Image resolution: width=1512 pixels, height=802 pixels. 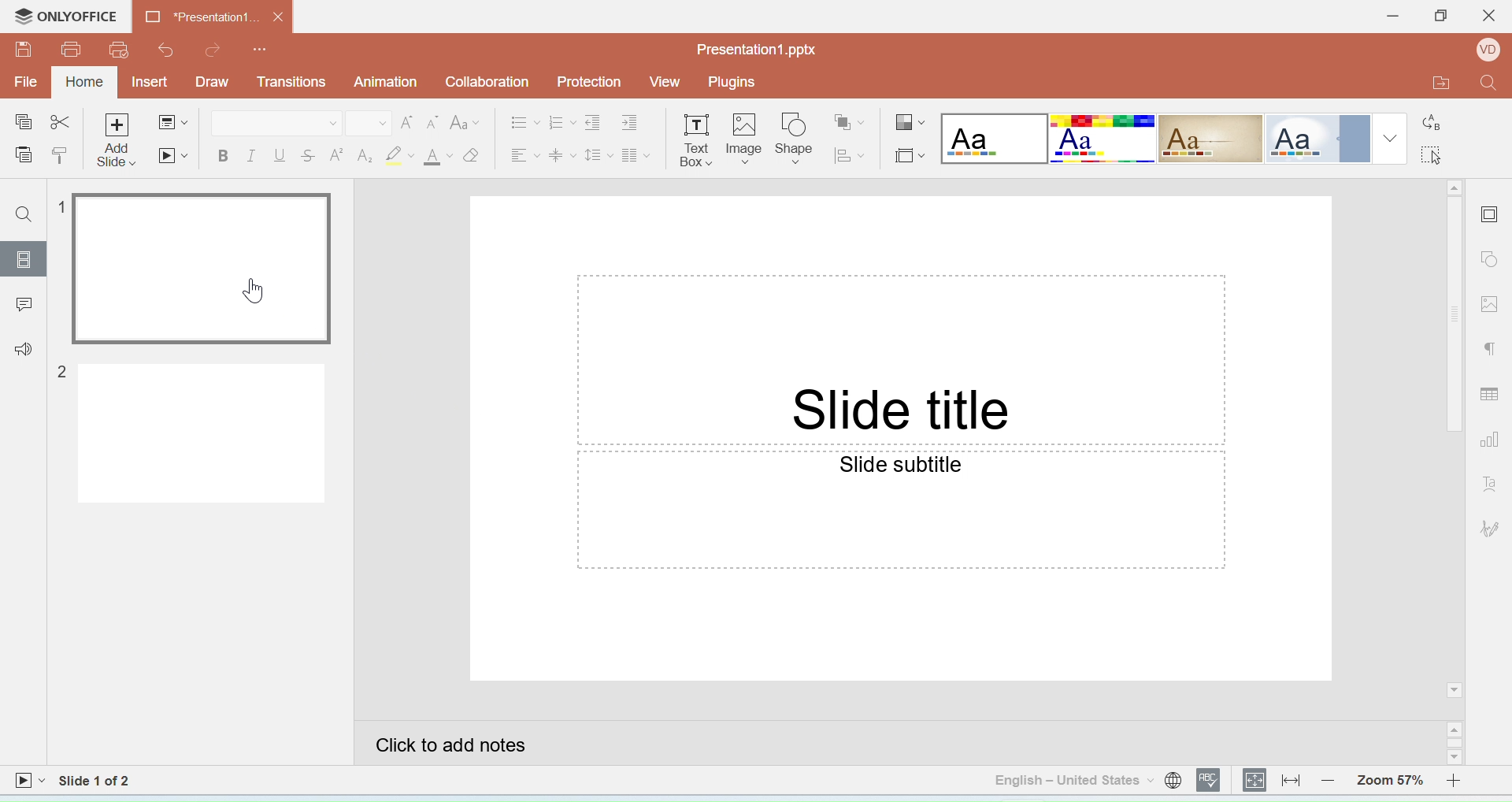 I want to click on Fit to slide, so click(x=1255, y=781).